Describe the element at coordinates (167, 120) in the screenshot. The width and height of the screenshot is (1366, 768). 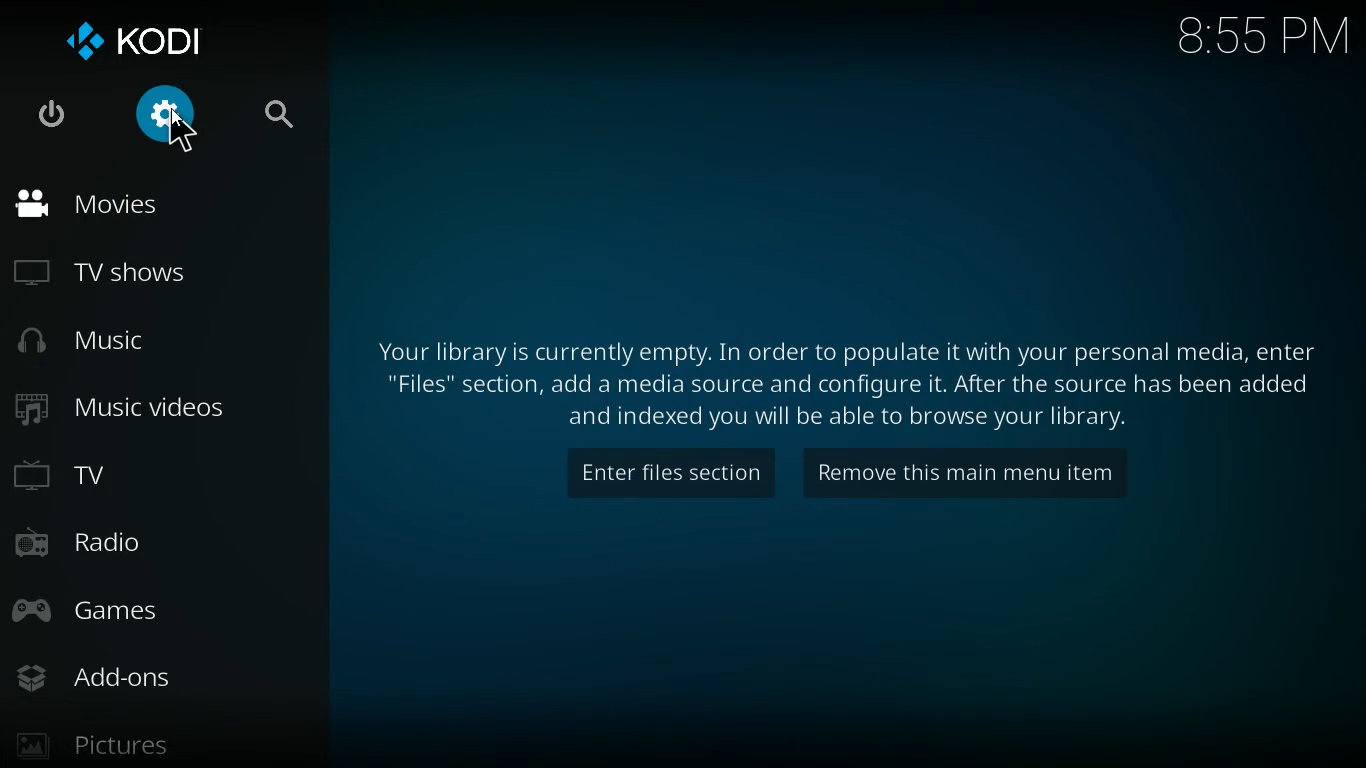
I see `settings` at that location.